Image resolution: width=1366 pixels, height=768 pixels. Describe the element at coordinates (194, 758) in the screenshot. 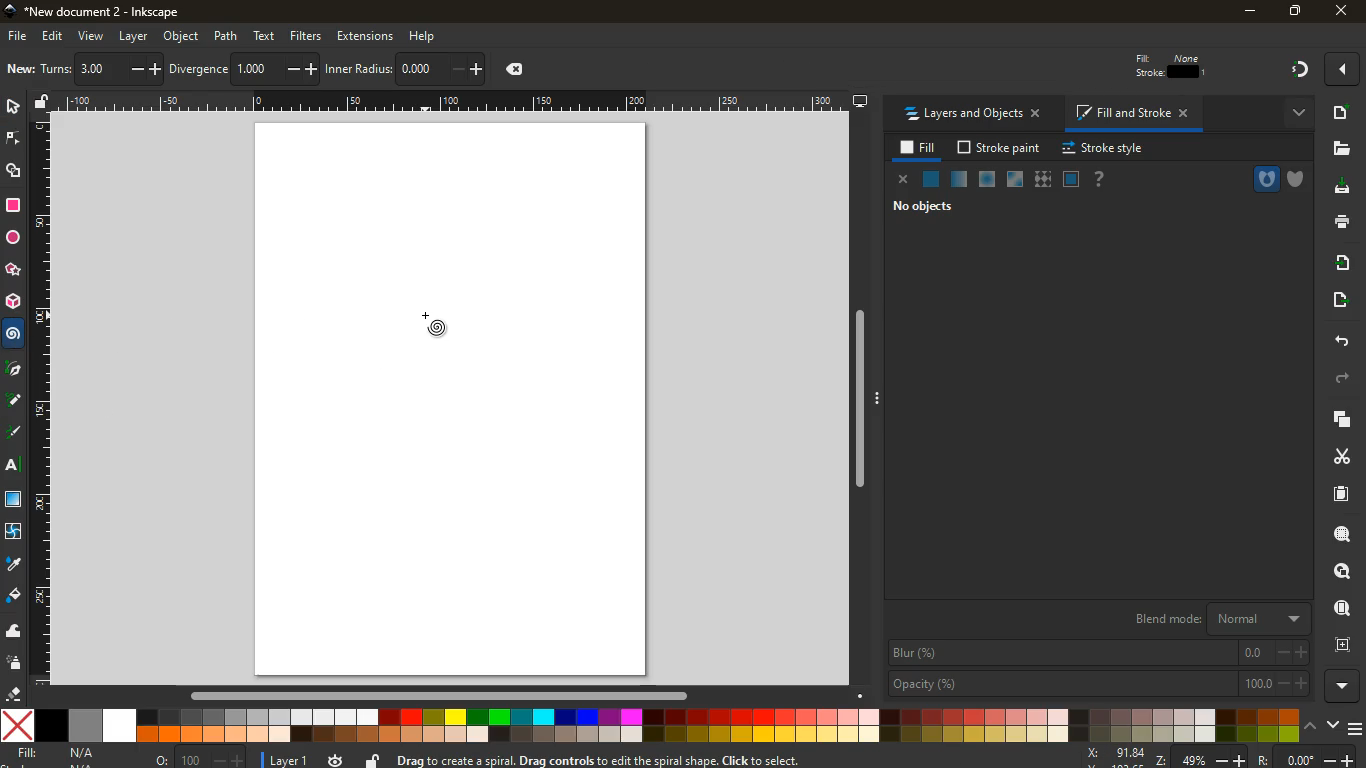

I see `o` at that location.